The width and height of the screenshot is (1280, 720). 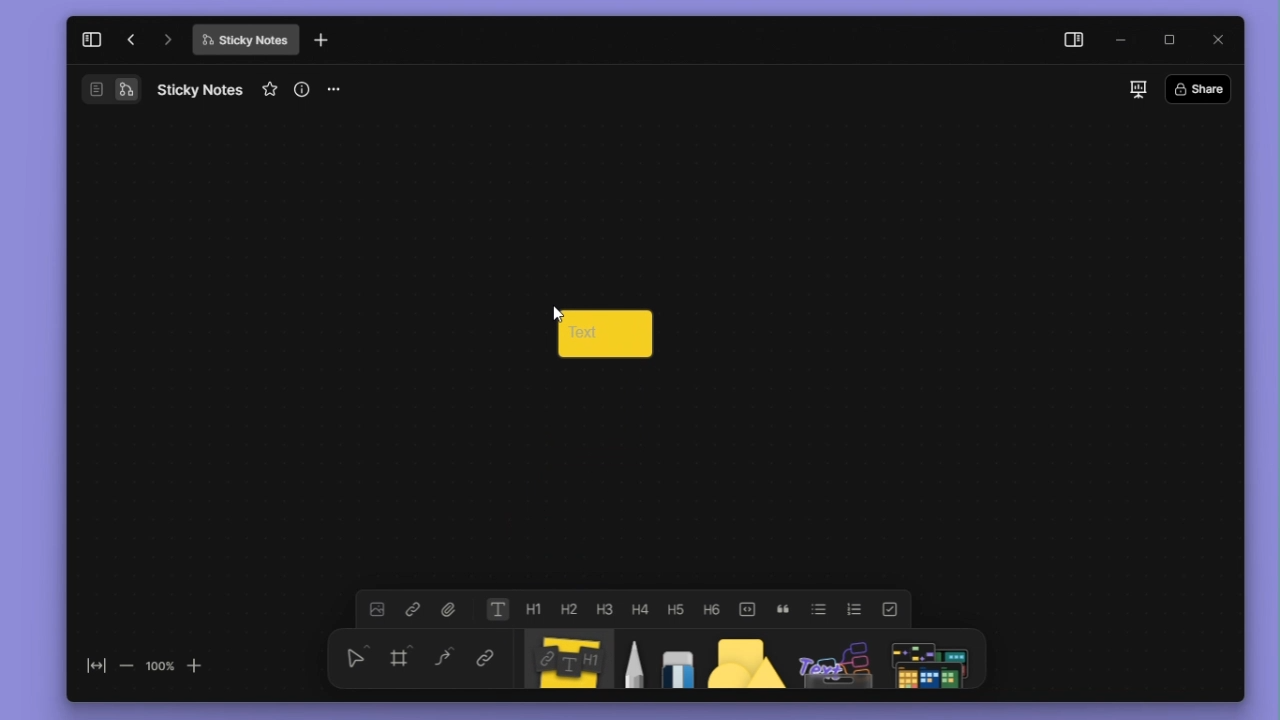 What do you see at coordinates (401, 659) in the screenshot?
I see `framing` at bounding box center [401, 659].